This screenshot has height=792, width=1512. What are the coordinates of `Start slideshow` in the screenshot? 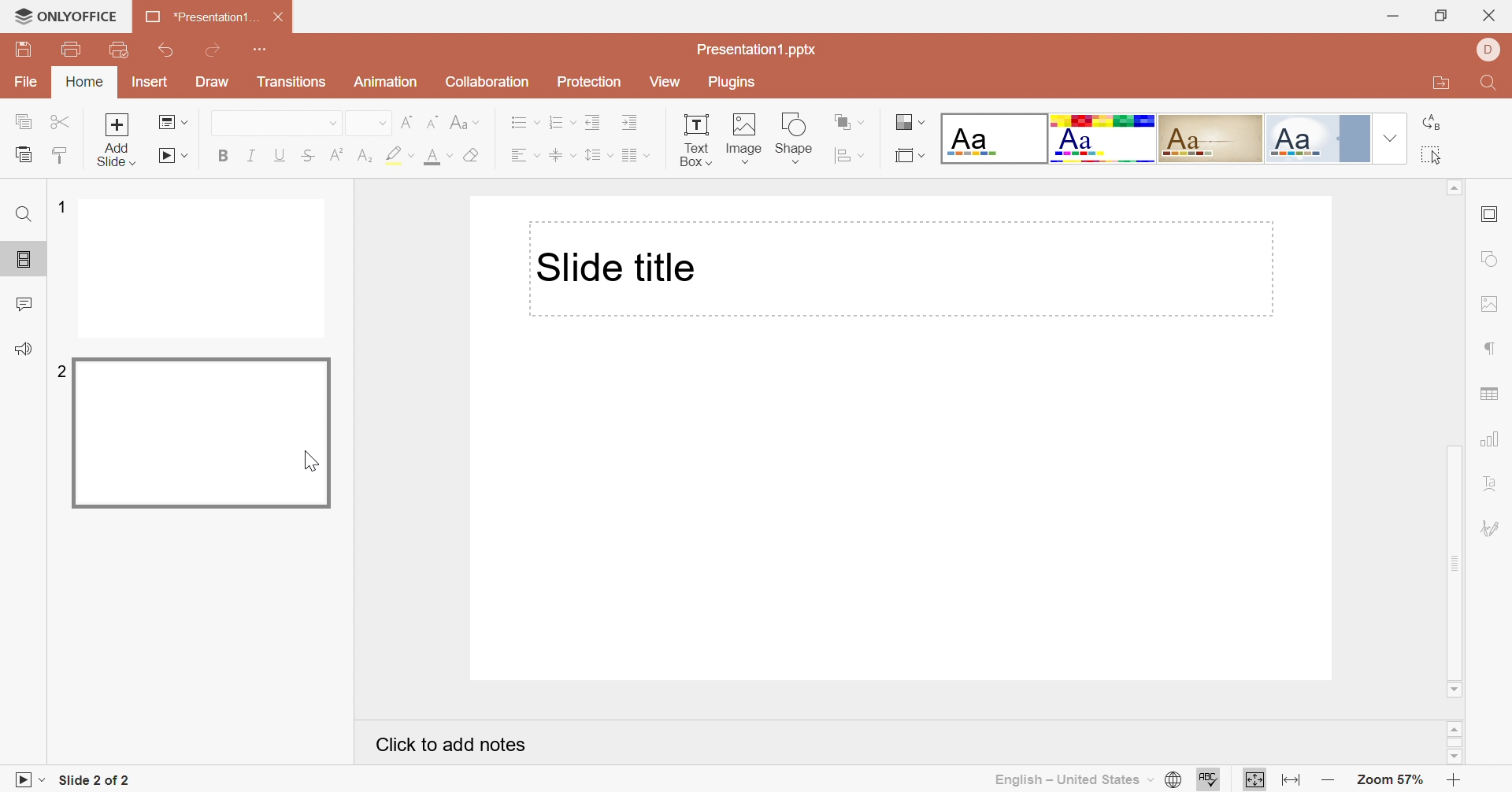 It's located at (171, 156).